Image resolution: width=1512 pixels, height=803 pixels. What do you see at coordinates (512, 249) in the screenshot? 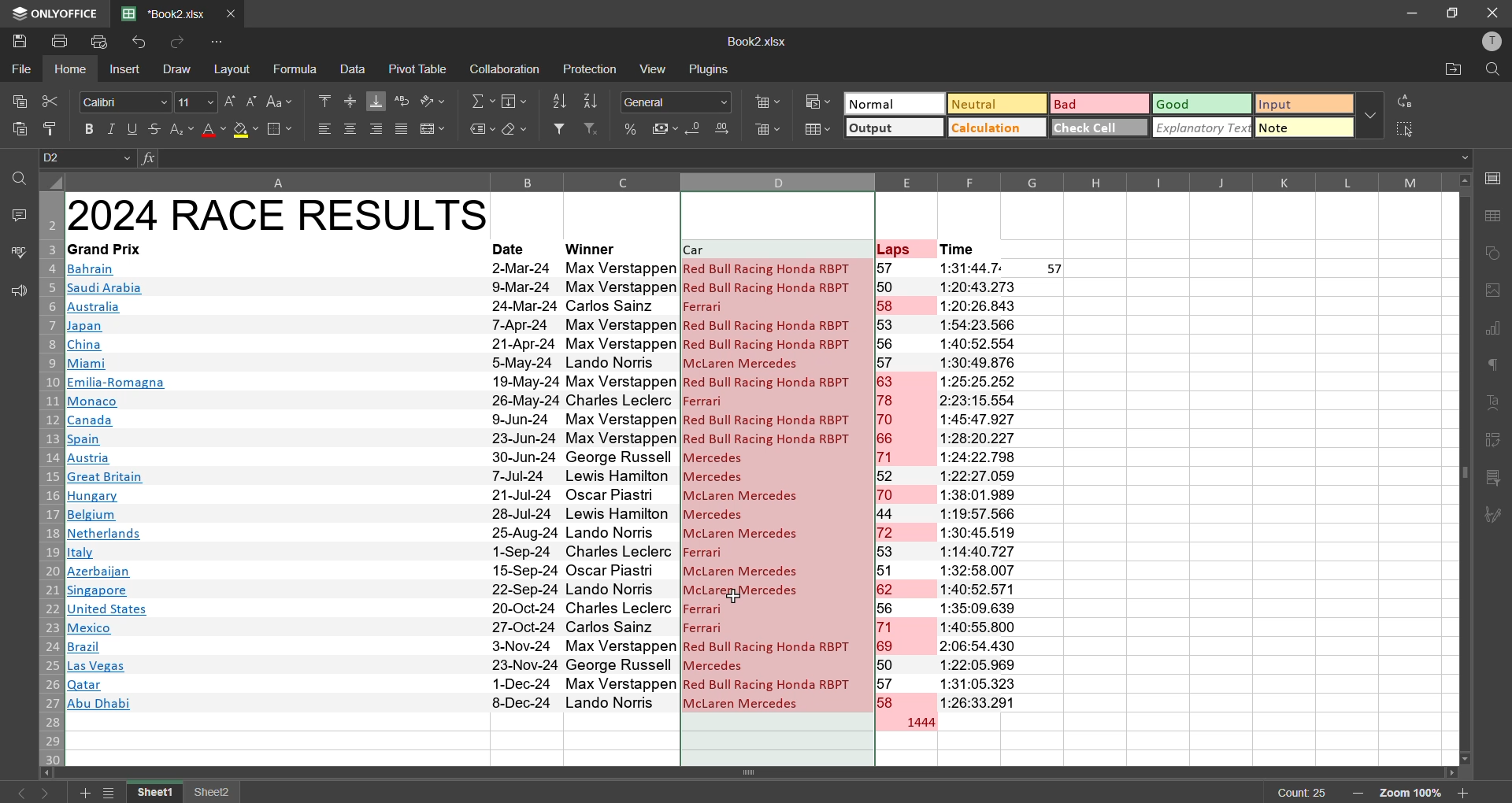
I see `date` at bounding box center [512, 249].